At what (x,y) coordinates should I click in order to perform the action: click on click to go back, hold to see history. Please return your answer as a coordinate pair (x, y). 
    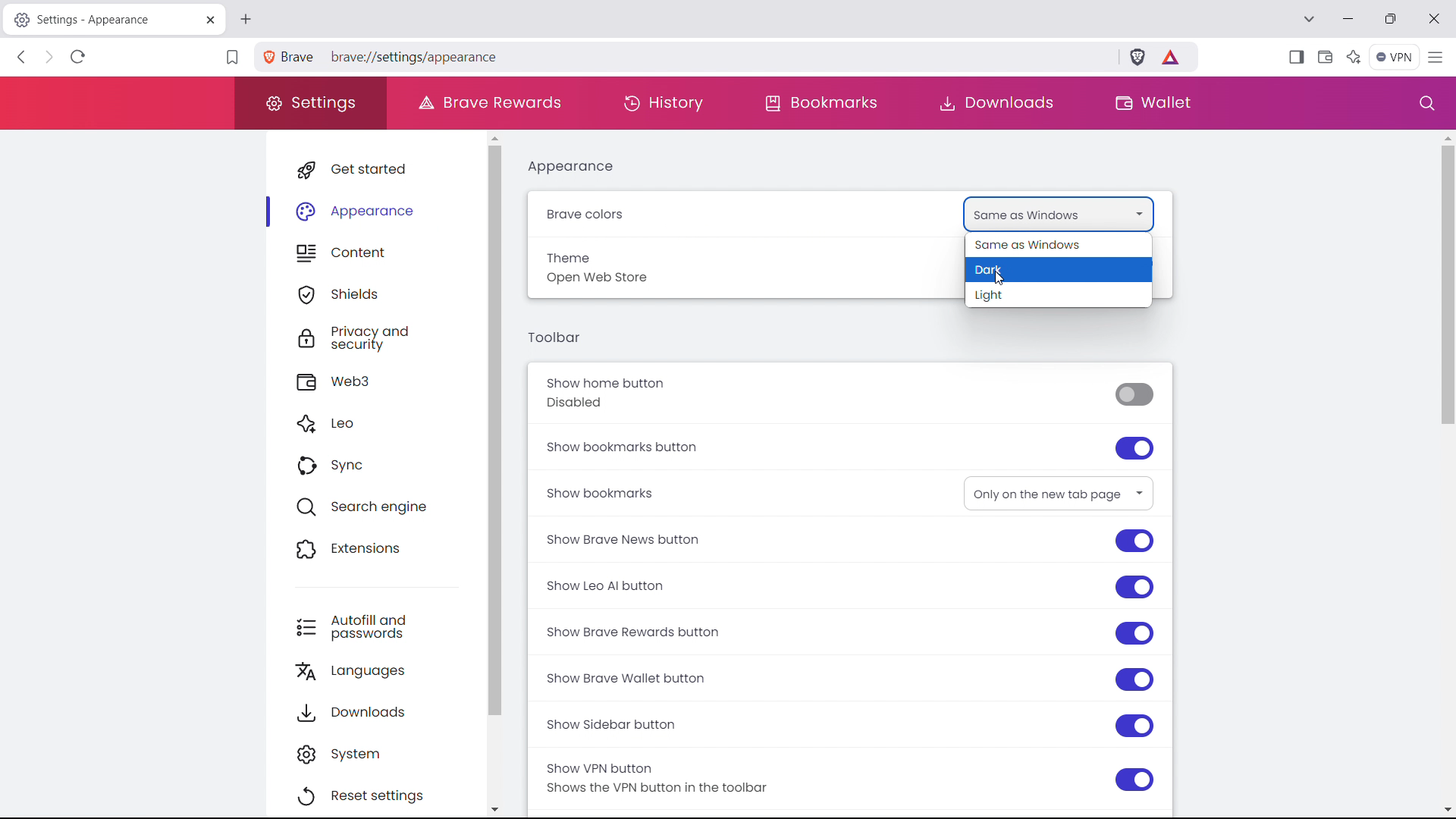
    Looking at the image, I should click on (21, 56).